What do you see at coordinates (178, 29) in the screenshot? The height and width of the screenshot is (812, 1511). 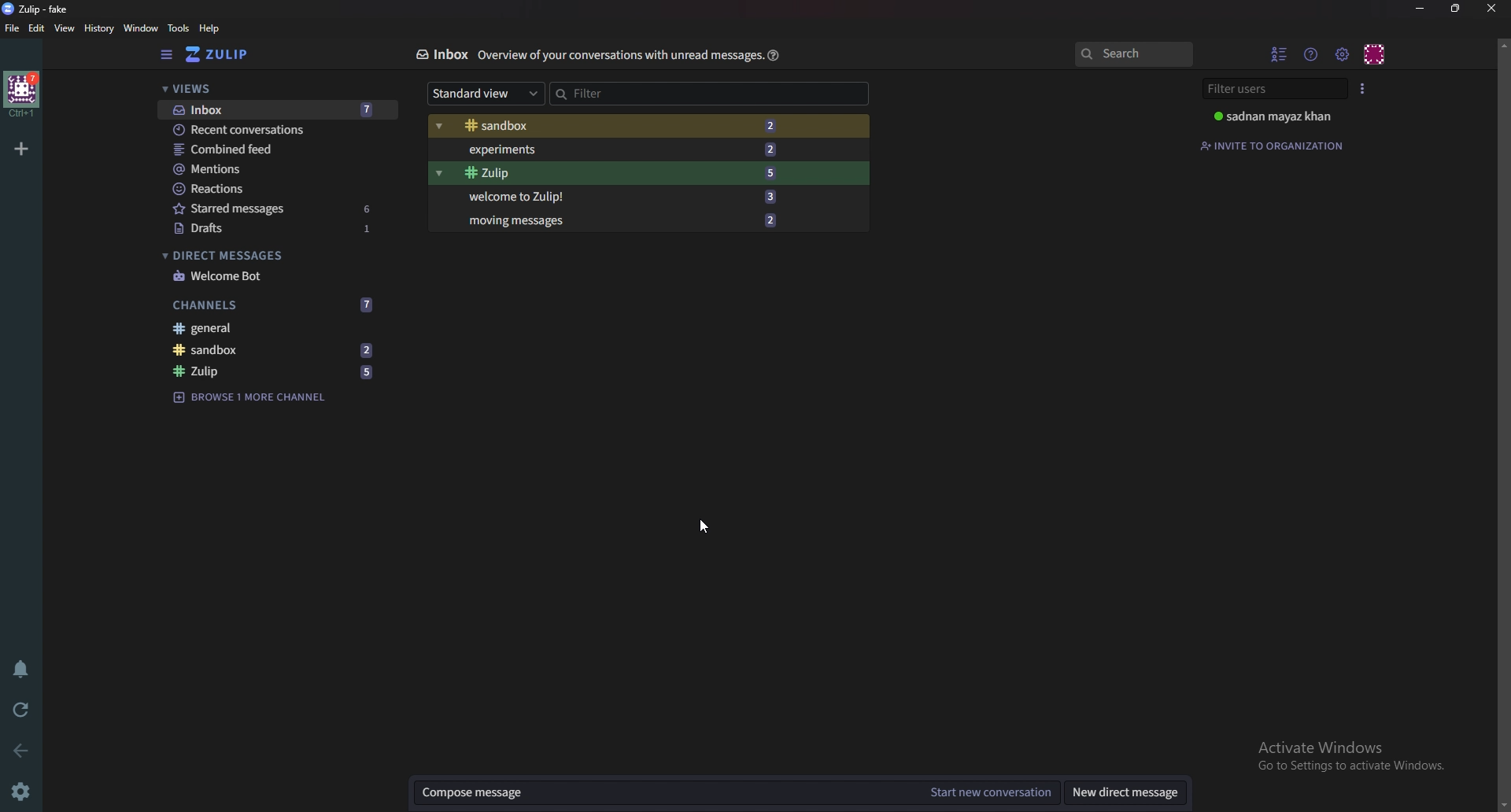 I see `Tools` at bounding box center [178, 29].